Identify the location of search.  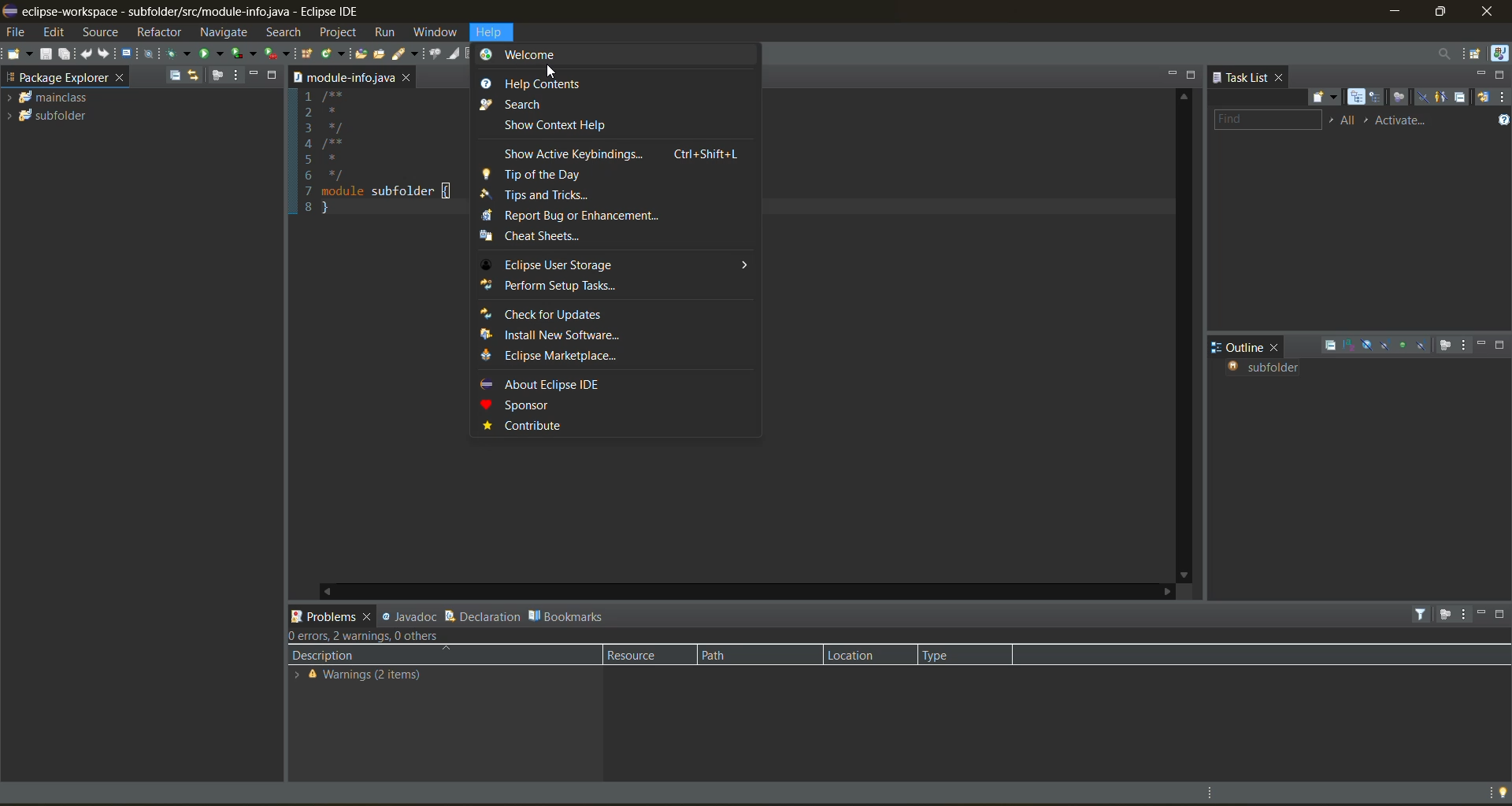
(283, 32).